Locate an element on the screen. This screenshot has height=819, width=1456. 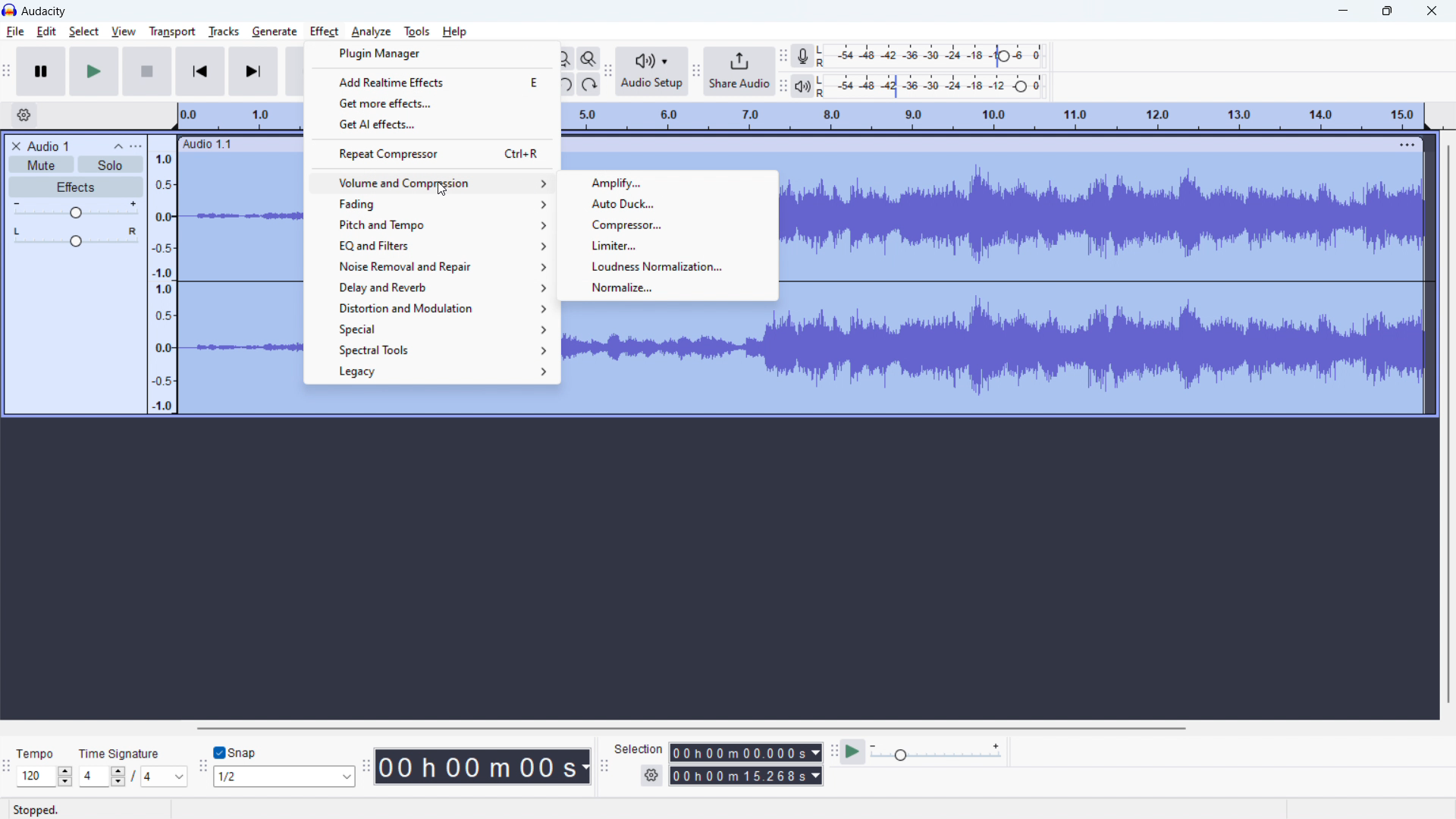
00h00m00.000s (start time) is located at coordinates (745, 748).